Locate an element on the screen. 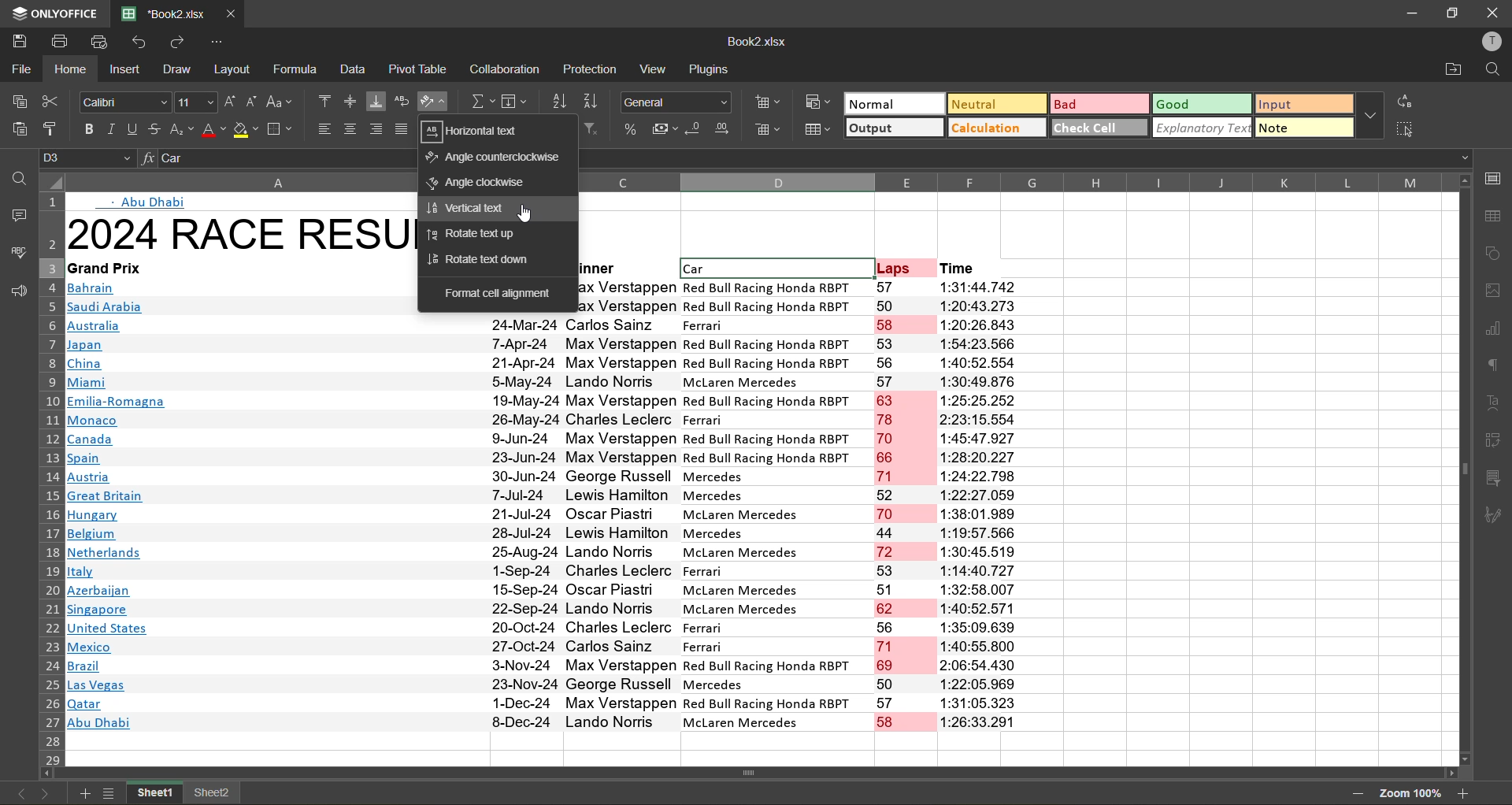  copy is located at coordinates (14, 104).